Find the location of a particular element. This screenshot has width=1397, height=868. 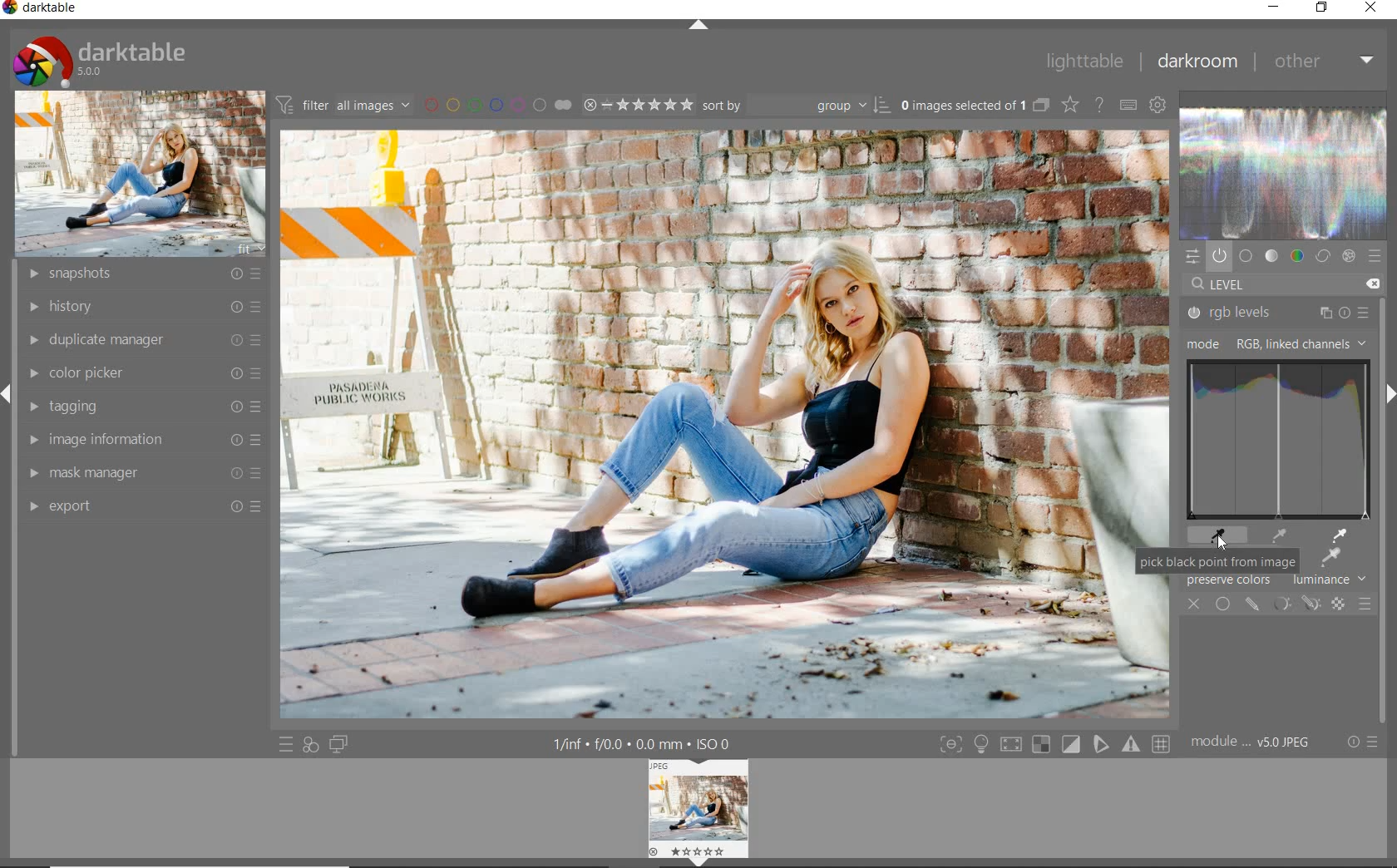

CURSOR is located at coordinates (1224, 545).